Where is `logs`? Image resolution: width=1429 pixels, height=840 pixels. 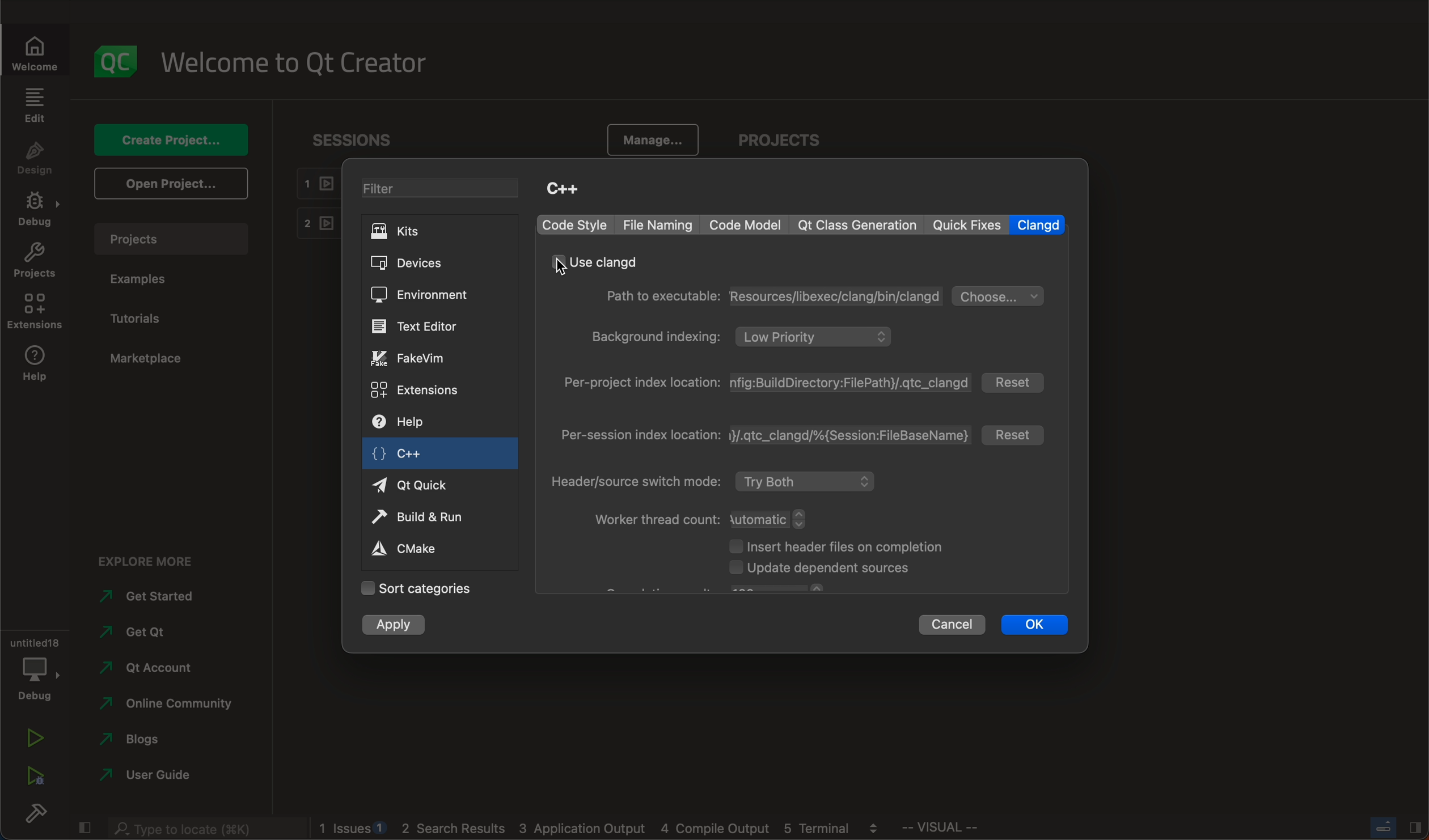 logs is located at coordinates (599, 829).